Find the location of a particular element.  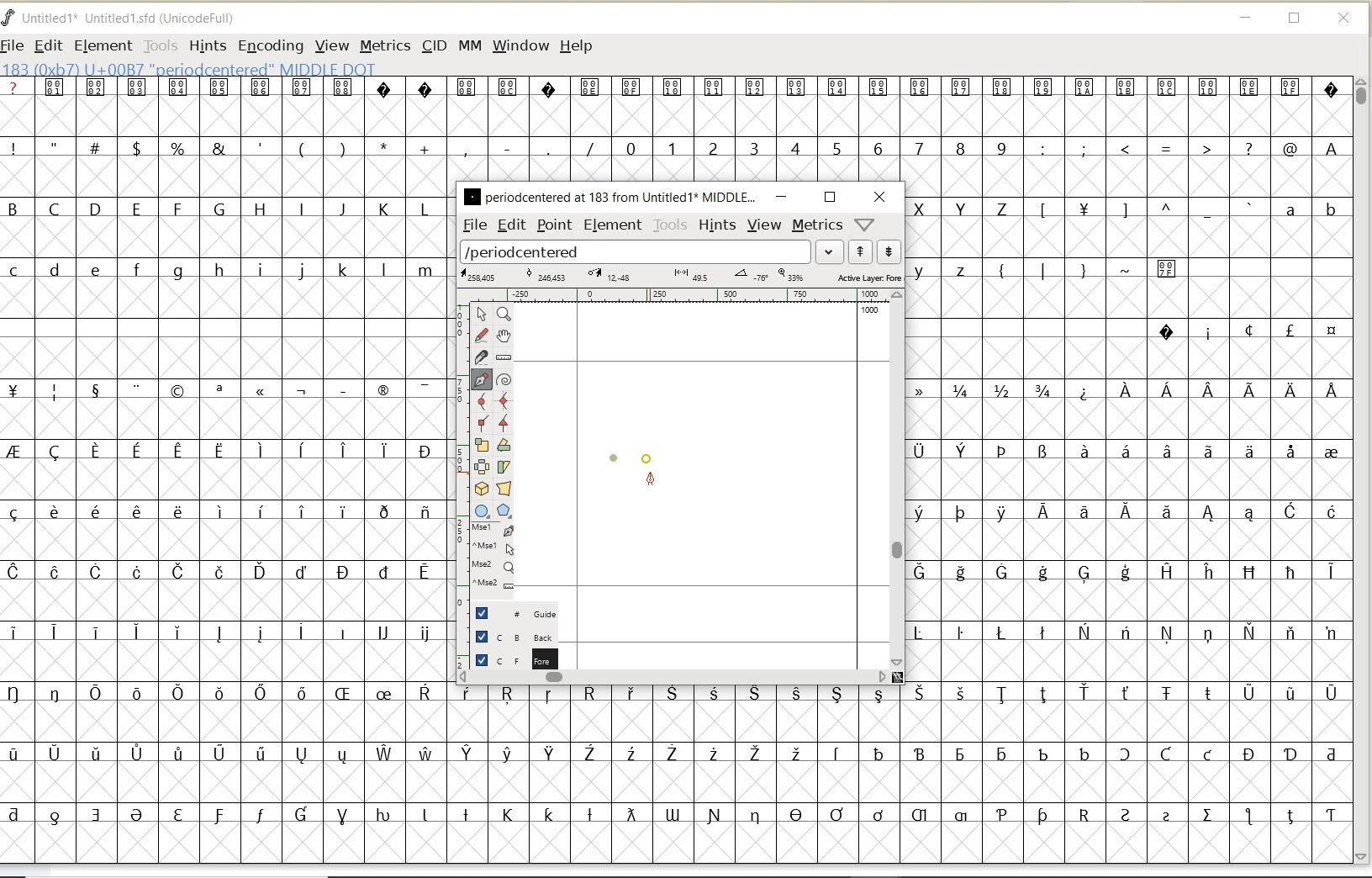

CLOSE is located at coordinates (1345, 19).